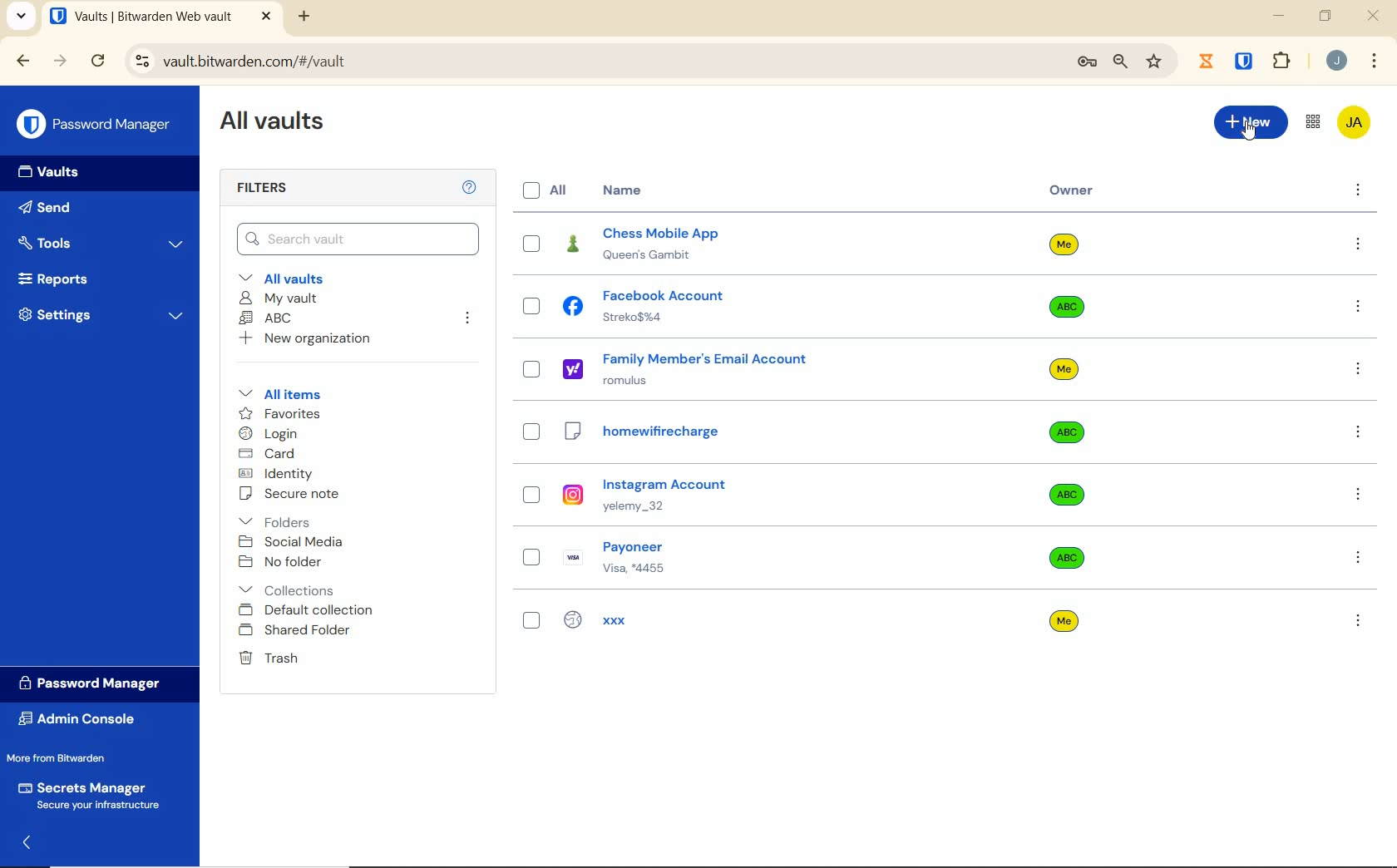 This screenshot has height=868, width=1397. What do you see at coordinates (82, 719) in the screenshot?
I see `Admin Console` at bounding box center [82, 719].